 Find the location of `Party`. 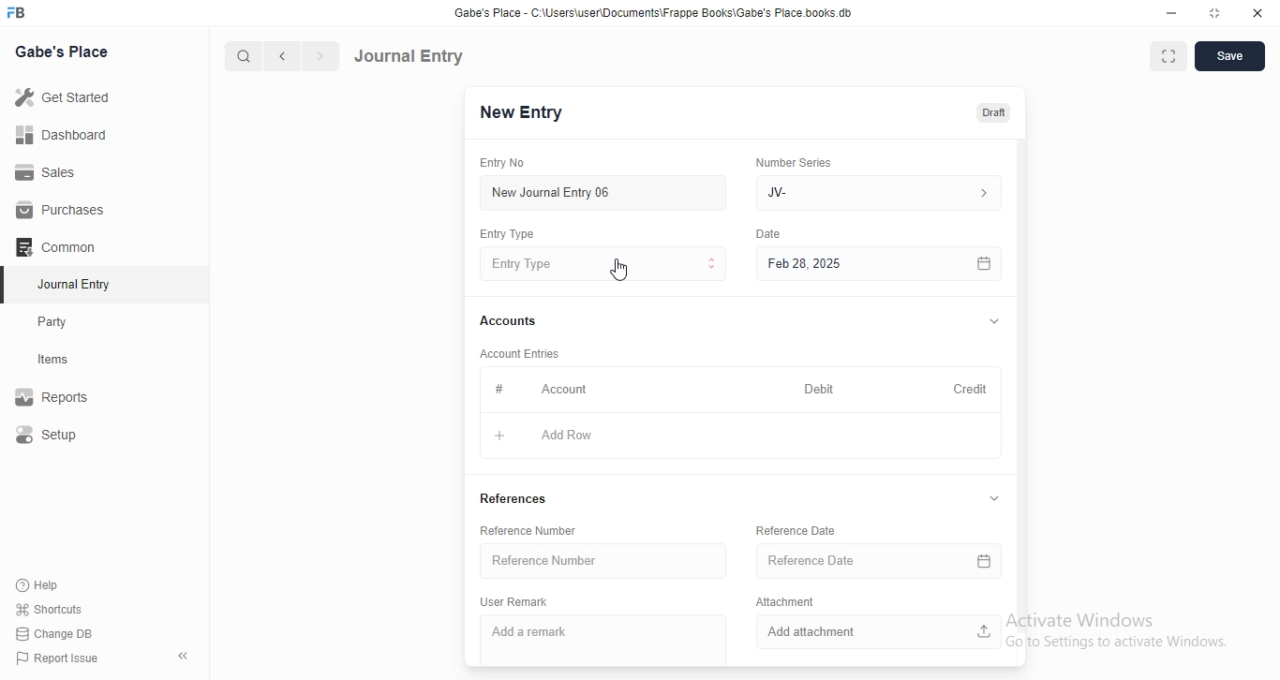

Party is located at coordinates (66, 322).